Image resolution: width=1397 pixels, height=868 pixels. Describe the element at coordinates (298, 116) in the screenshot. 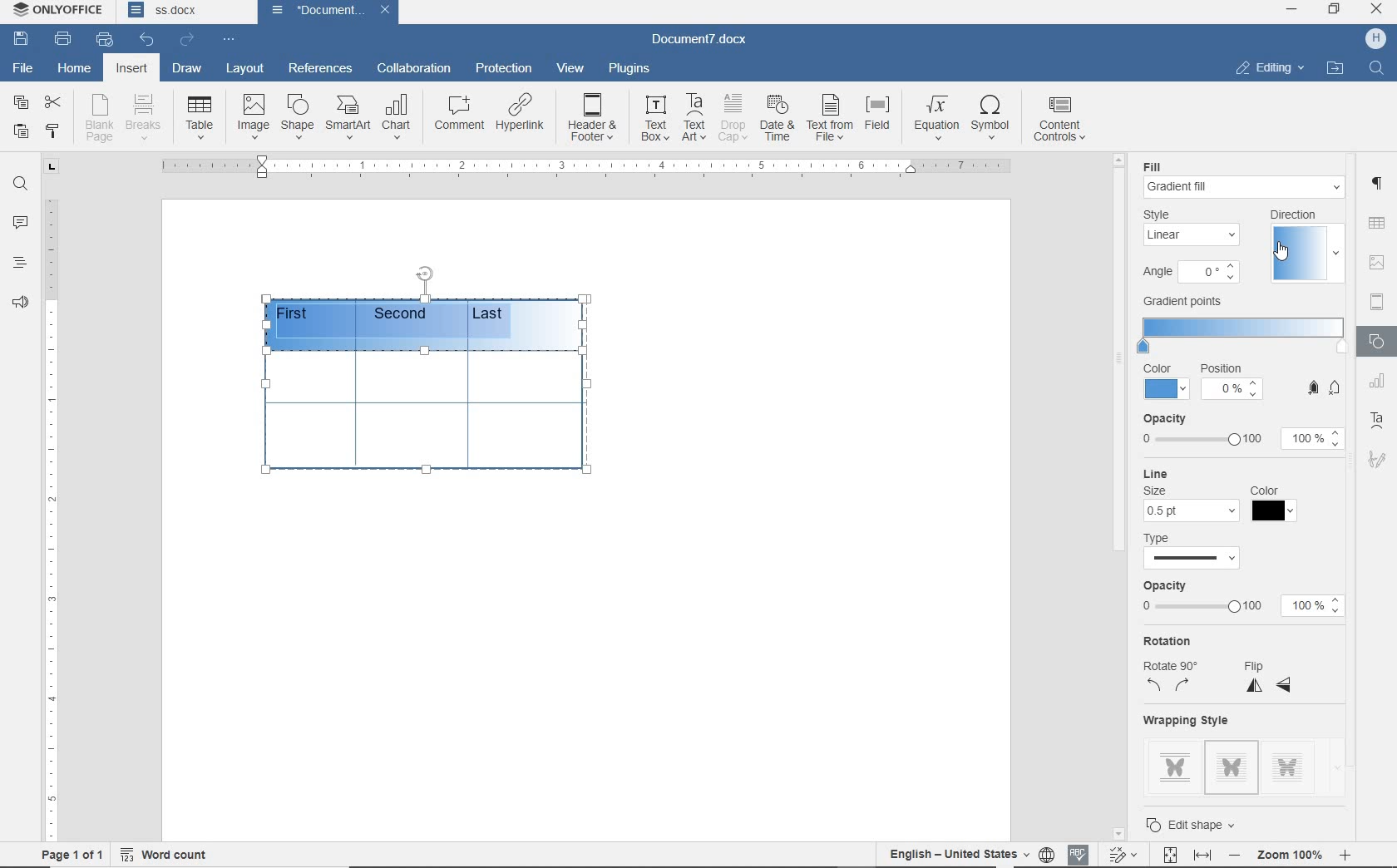

I see `shape` at that location.